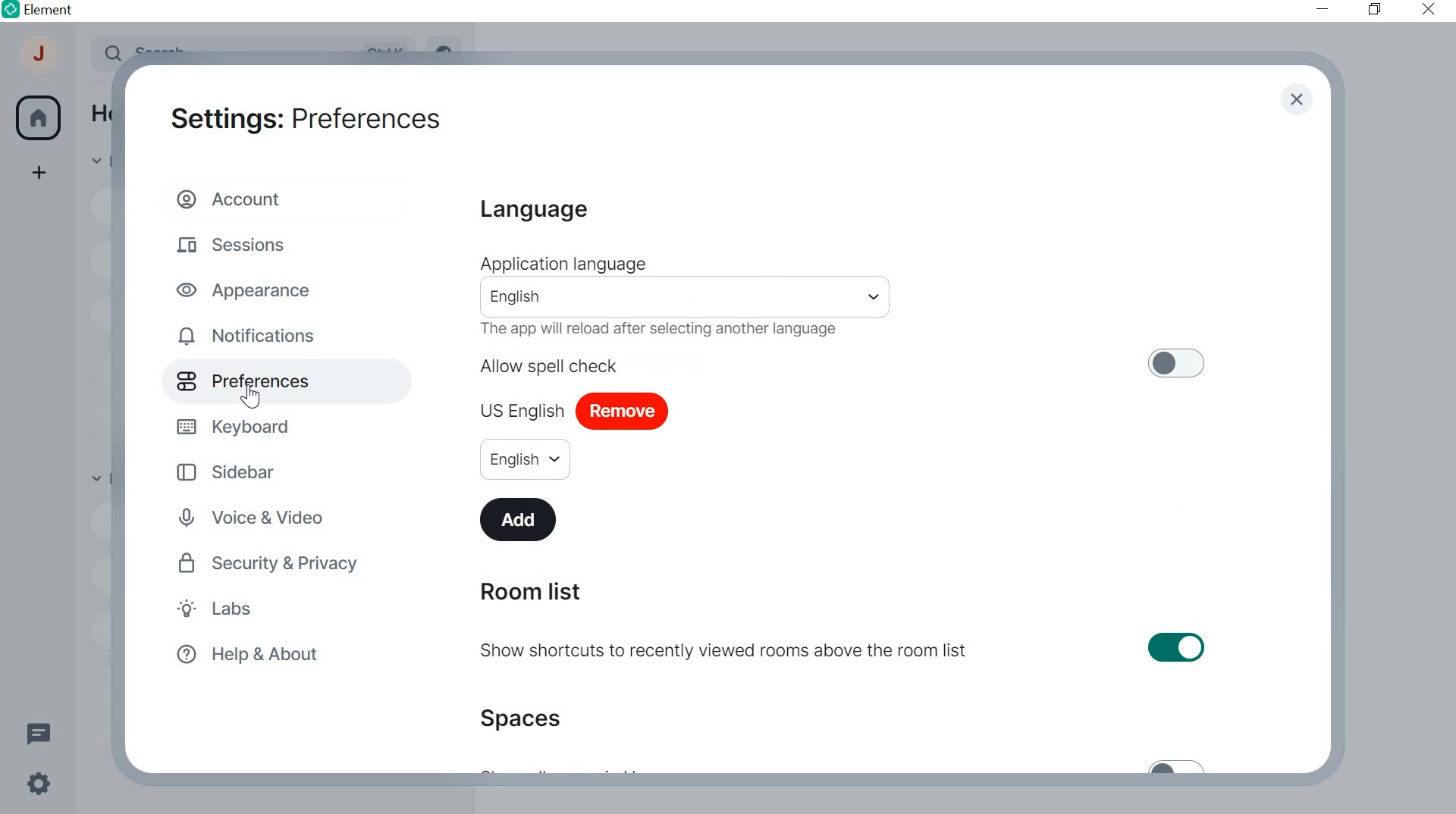  I want to click on Language, so click(532, 211).